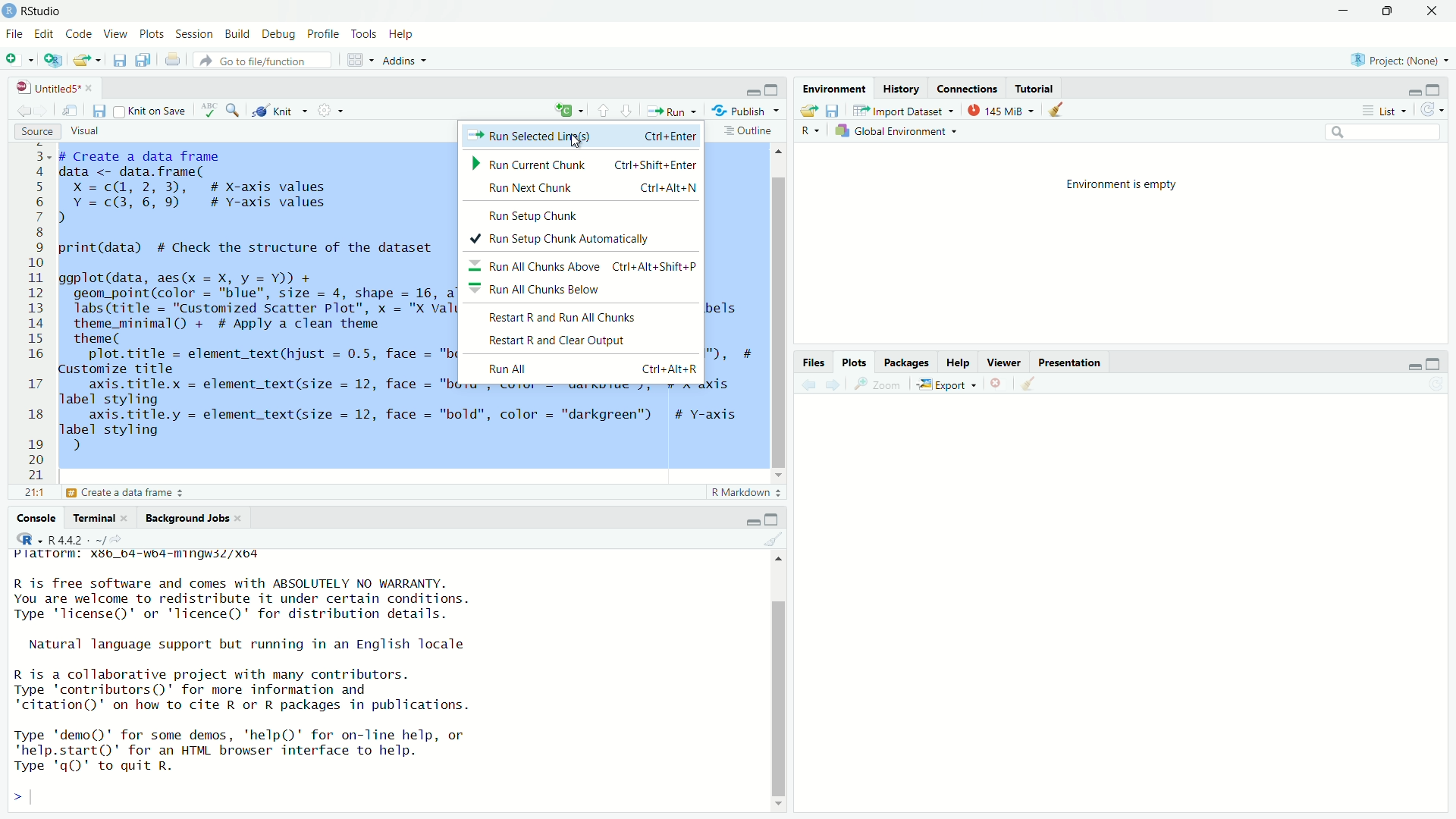 The image size is (1456, 819). I want to click on Source, so click(33, 132).